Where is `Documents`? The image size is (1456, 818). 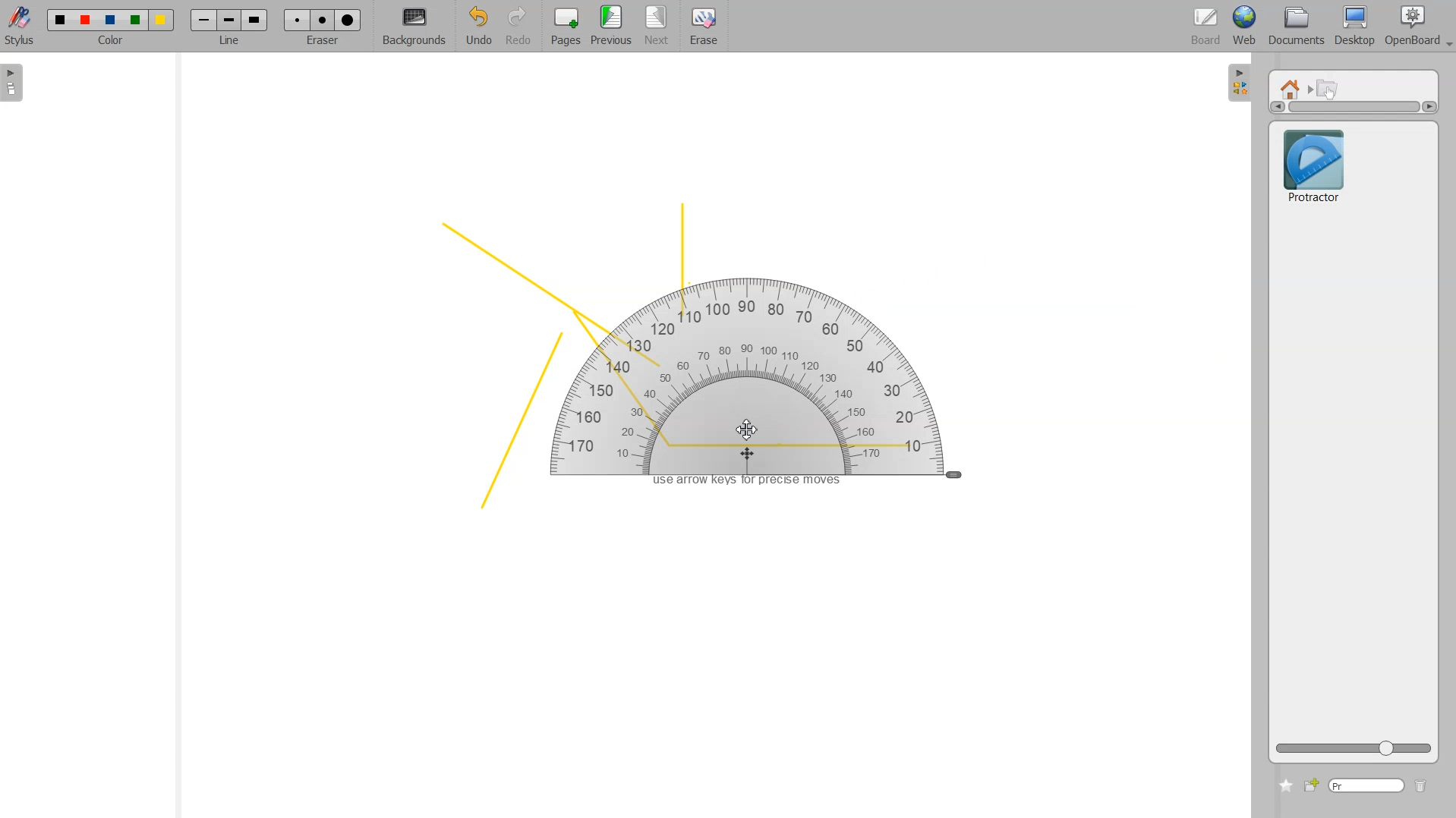 Documents is located at coordinates (1294, 27).